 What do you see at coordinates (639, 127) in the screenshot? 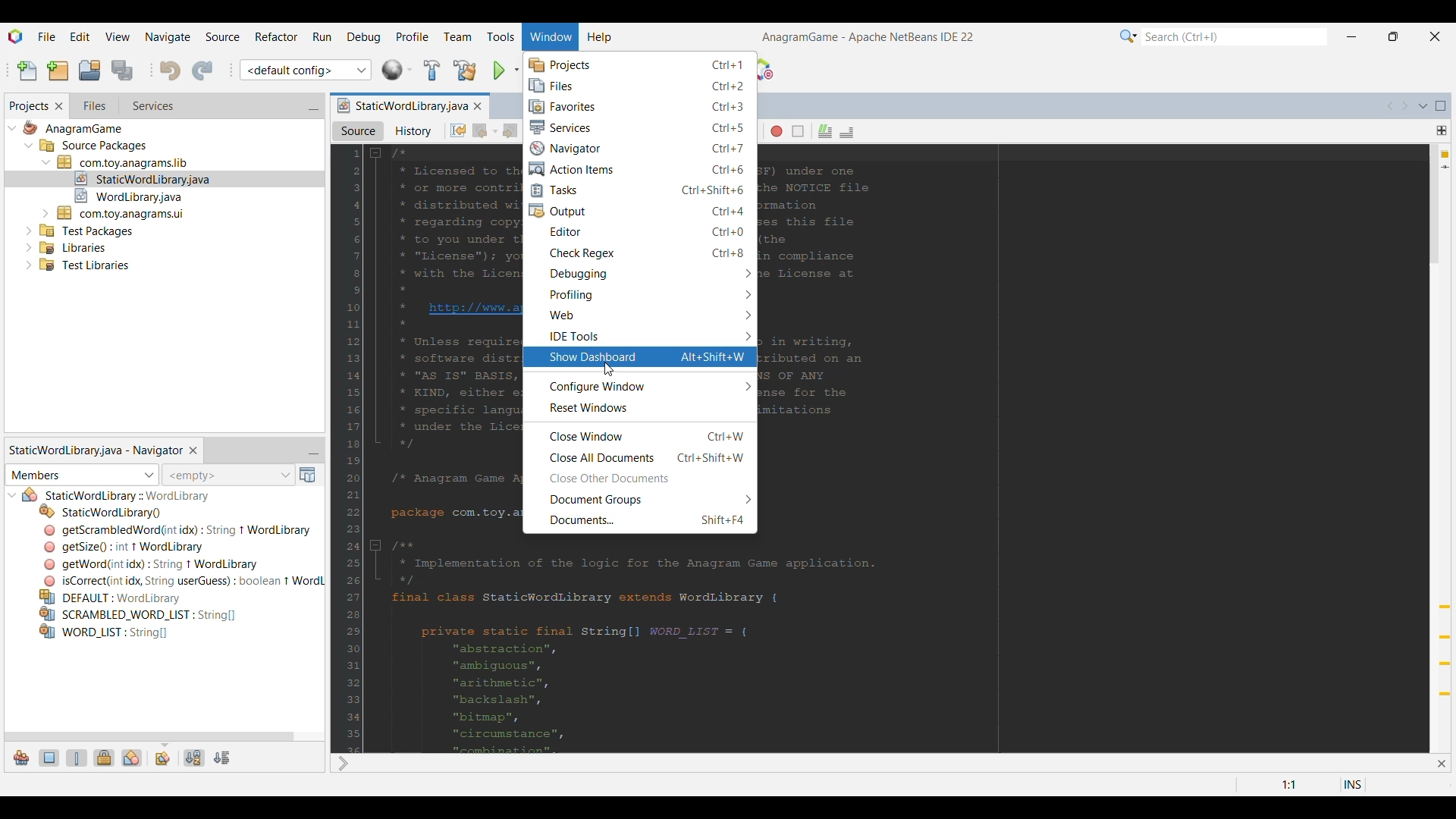
I see `Services` at bounding box center [639, 127].